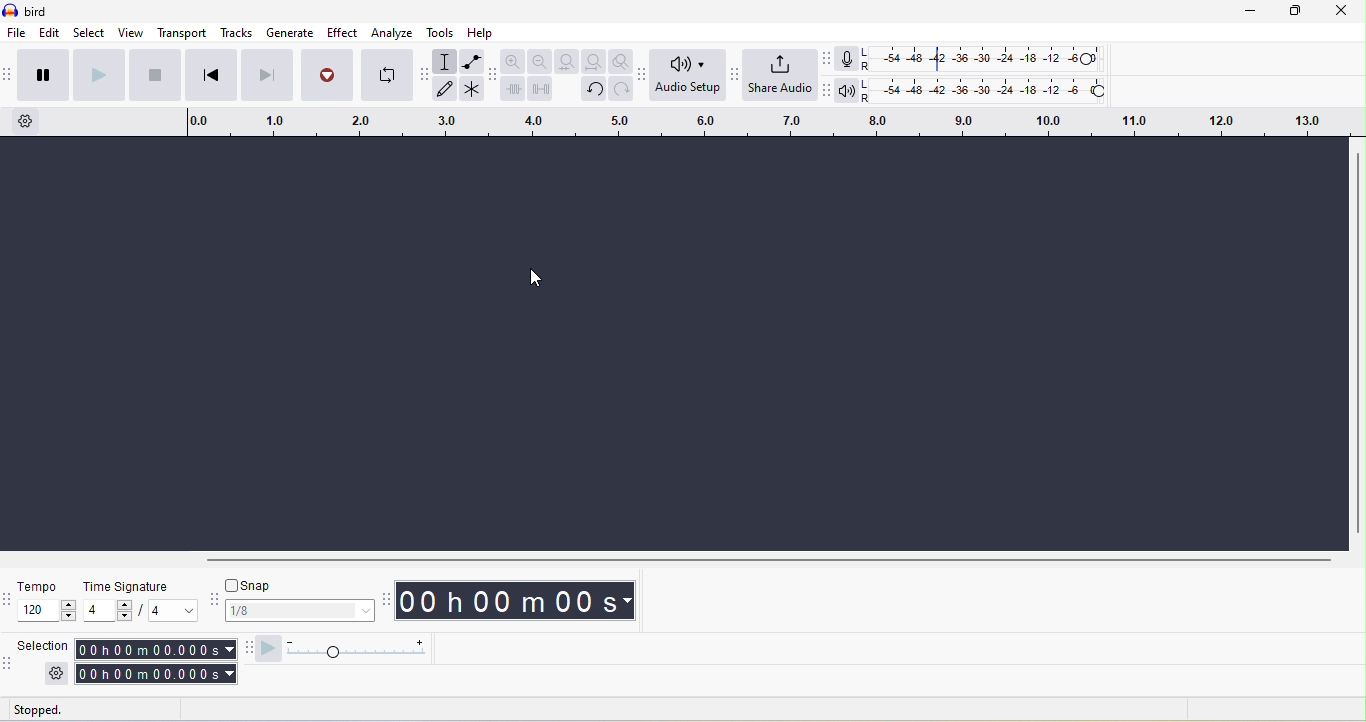  I want to click on audacity play back meter toolbar, so click(825, 93).